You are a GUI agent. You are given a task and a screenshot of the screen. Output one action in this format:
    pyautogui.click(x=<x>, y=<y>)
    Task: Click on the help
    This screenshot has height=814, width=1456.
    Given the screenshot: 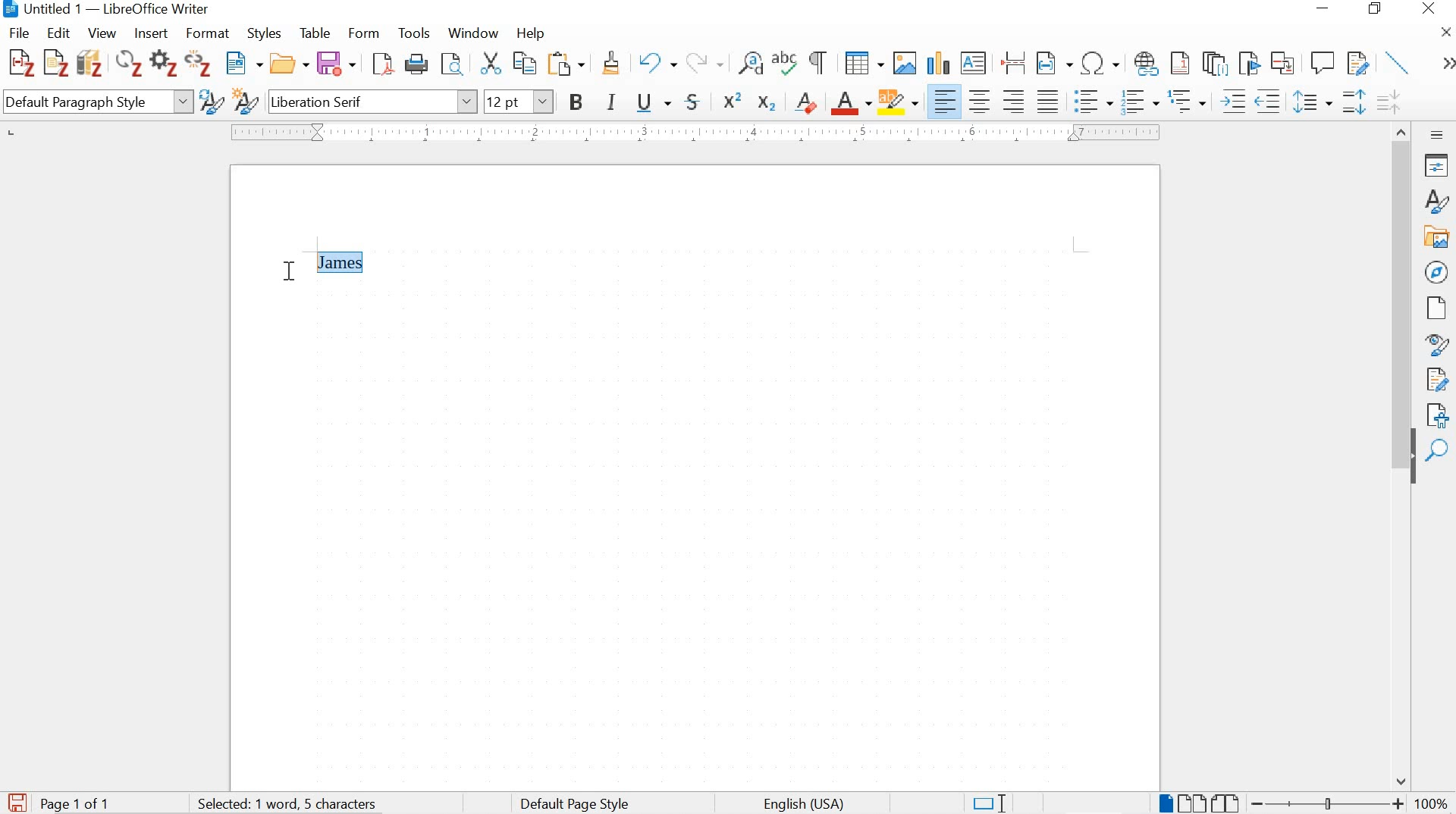 What is the action you would take?
    pyautogui.click(x=529, y=33)
    